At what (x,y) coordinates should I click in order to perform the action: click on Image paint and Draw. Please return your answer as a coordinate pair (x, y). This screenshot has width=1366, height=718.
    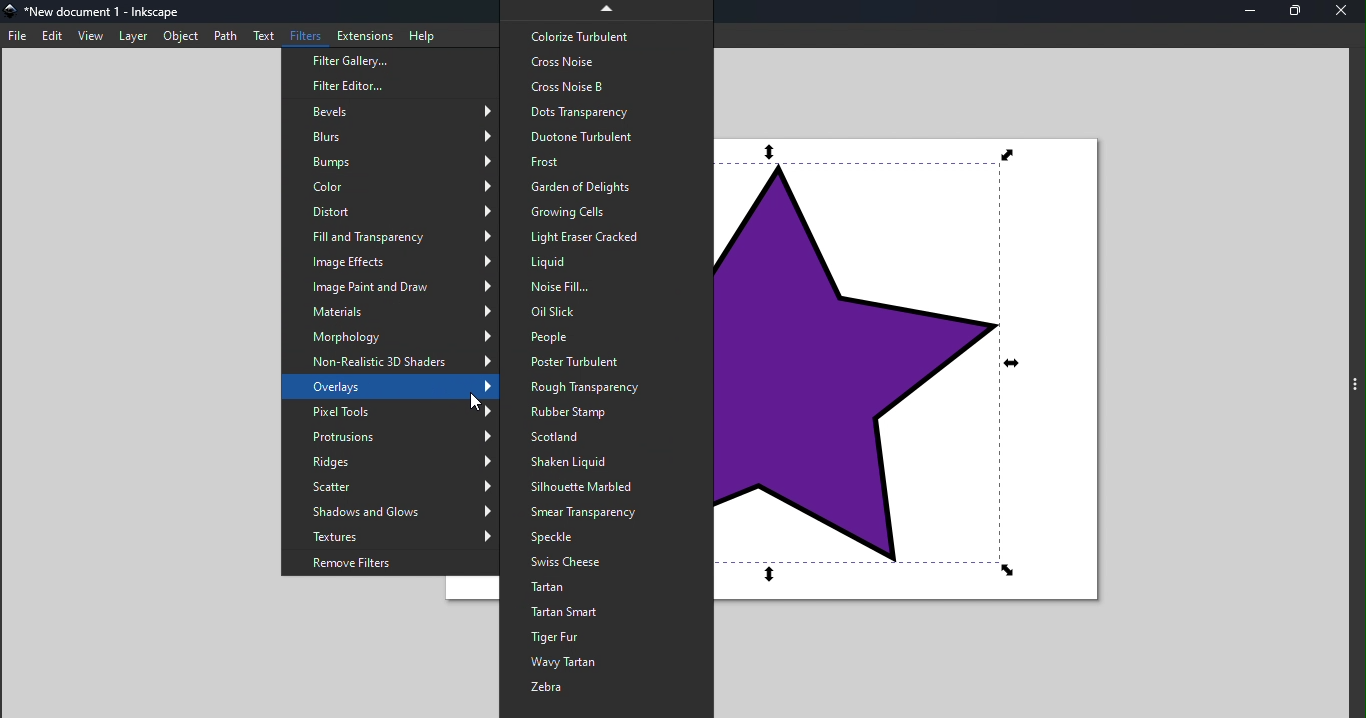
    Looking at the image, I should click on (394, 288).